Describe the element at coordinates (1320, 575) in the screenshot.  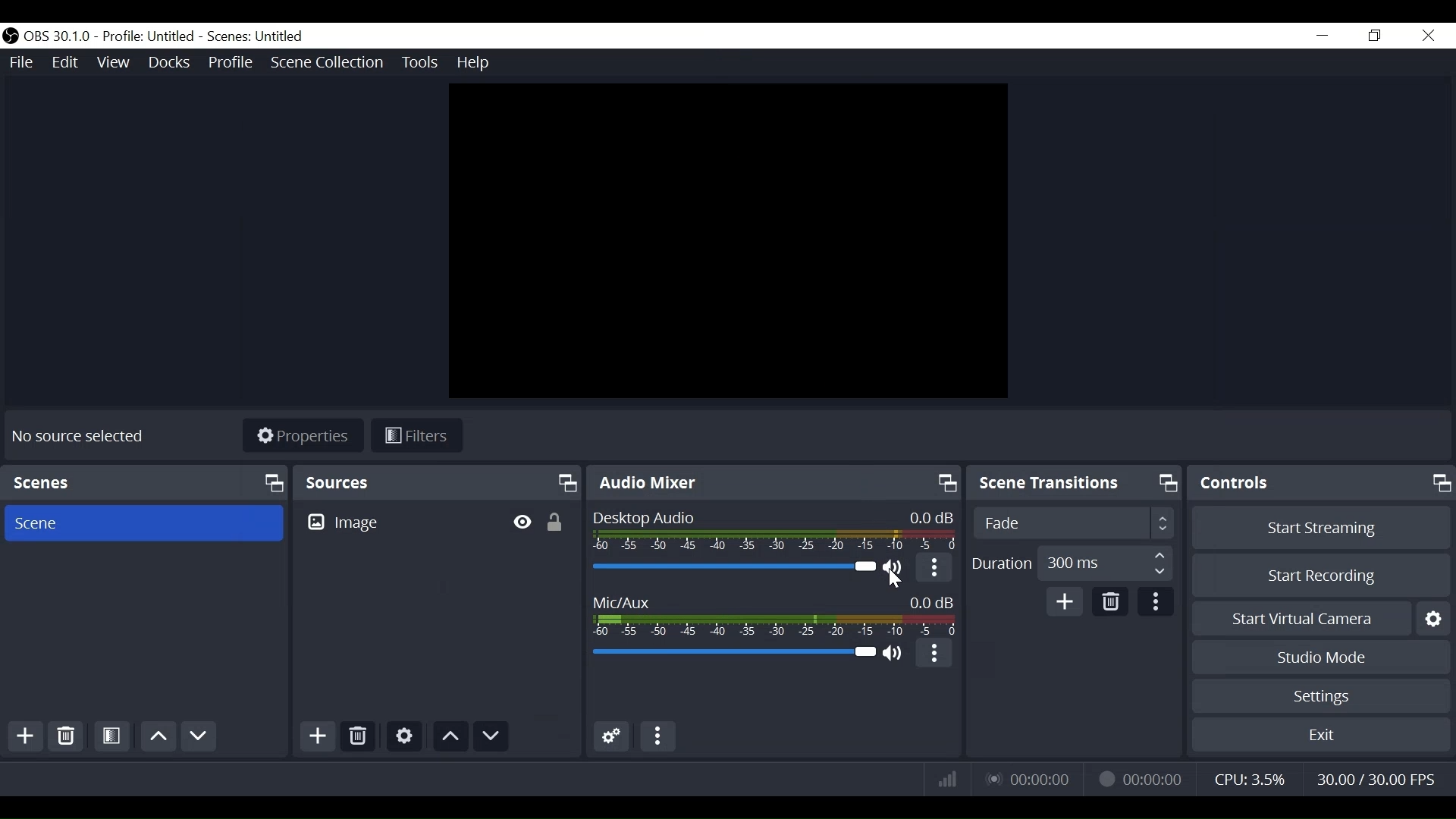
I see `Start Recording` at that location.